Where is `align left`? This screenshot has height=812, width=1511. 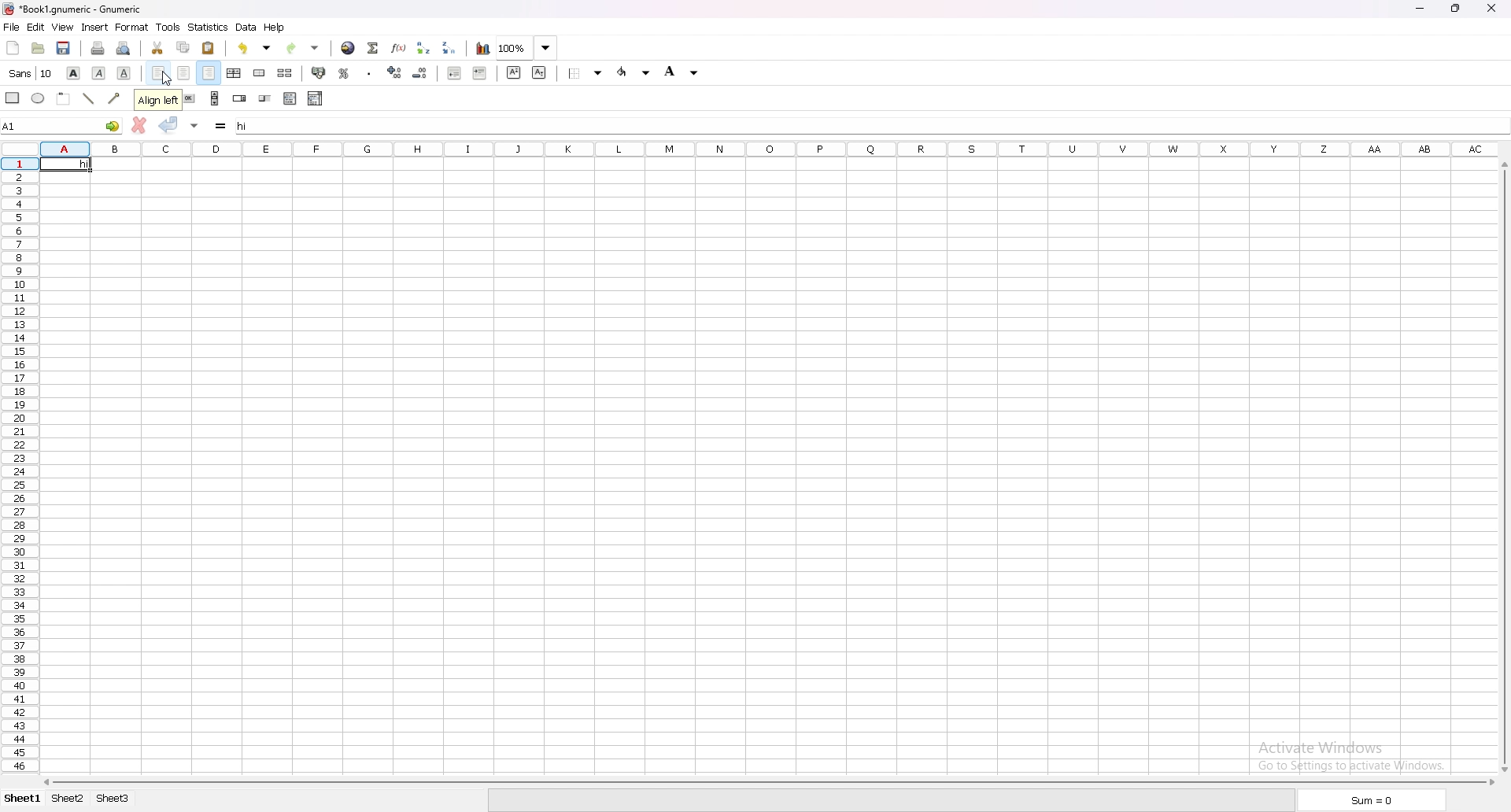 align left is located at coordinates (158, 74).